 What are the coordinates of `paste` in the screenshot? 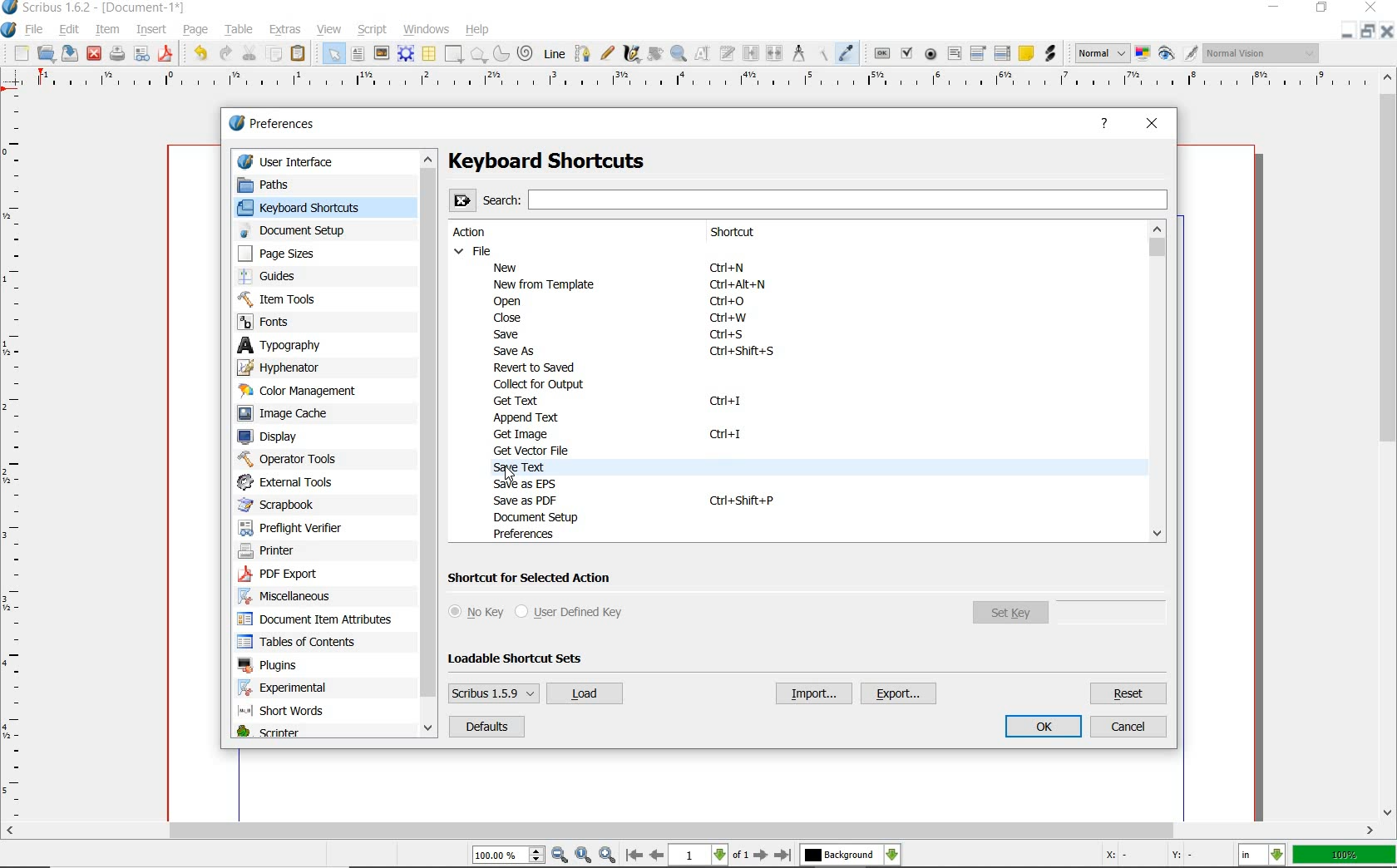 It's located at (300, 55).